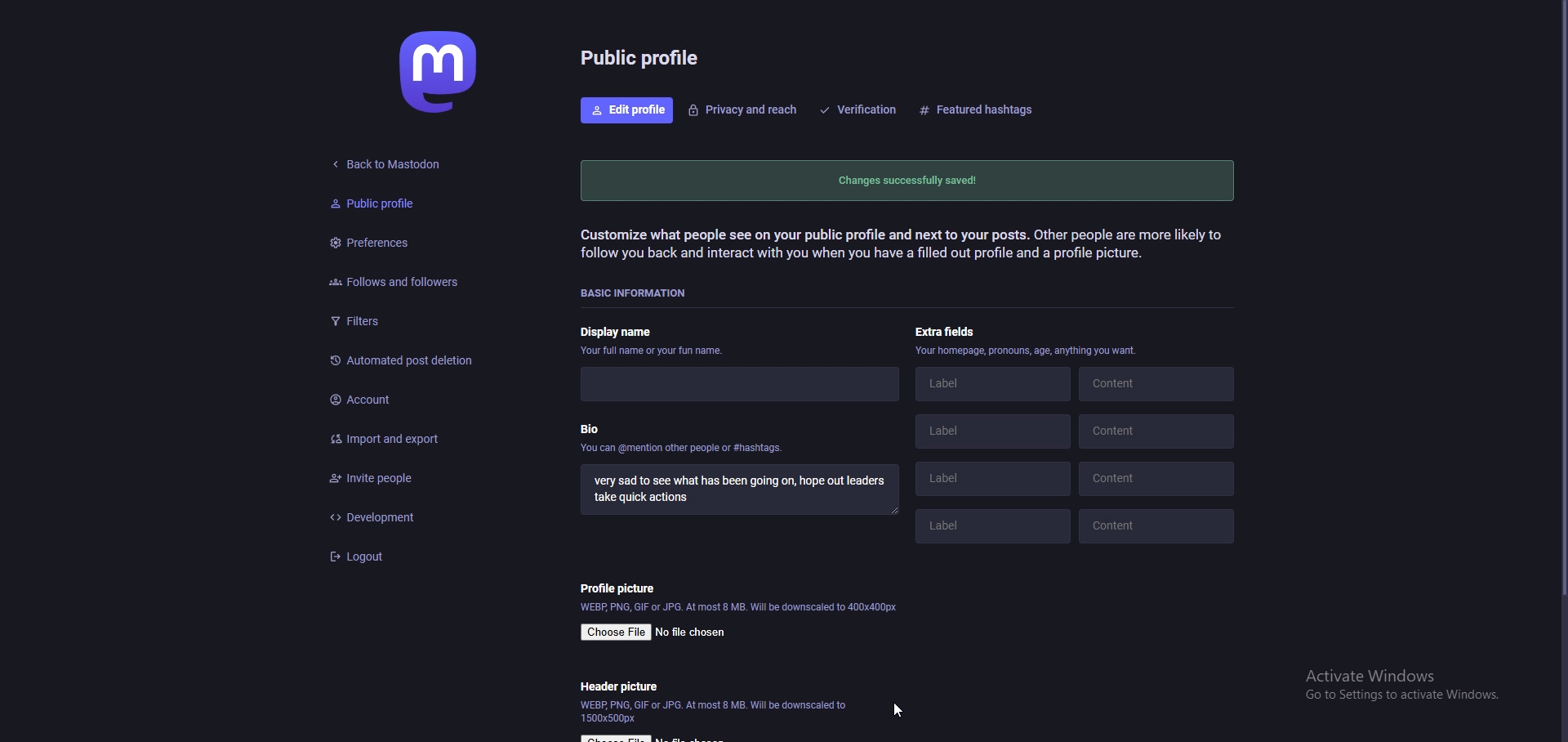 This screenshot has width=1568, height=742. What do you see at coordinates (1137, 1155) in the screenshot?
I see `header picture` at bounding box center [1137, 1155].